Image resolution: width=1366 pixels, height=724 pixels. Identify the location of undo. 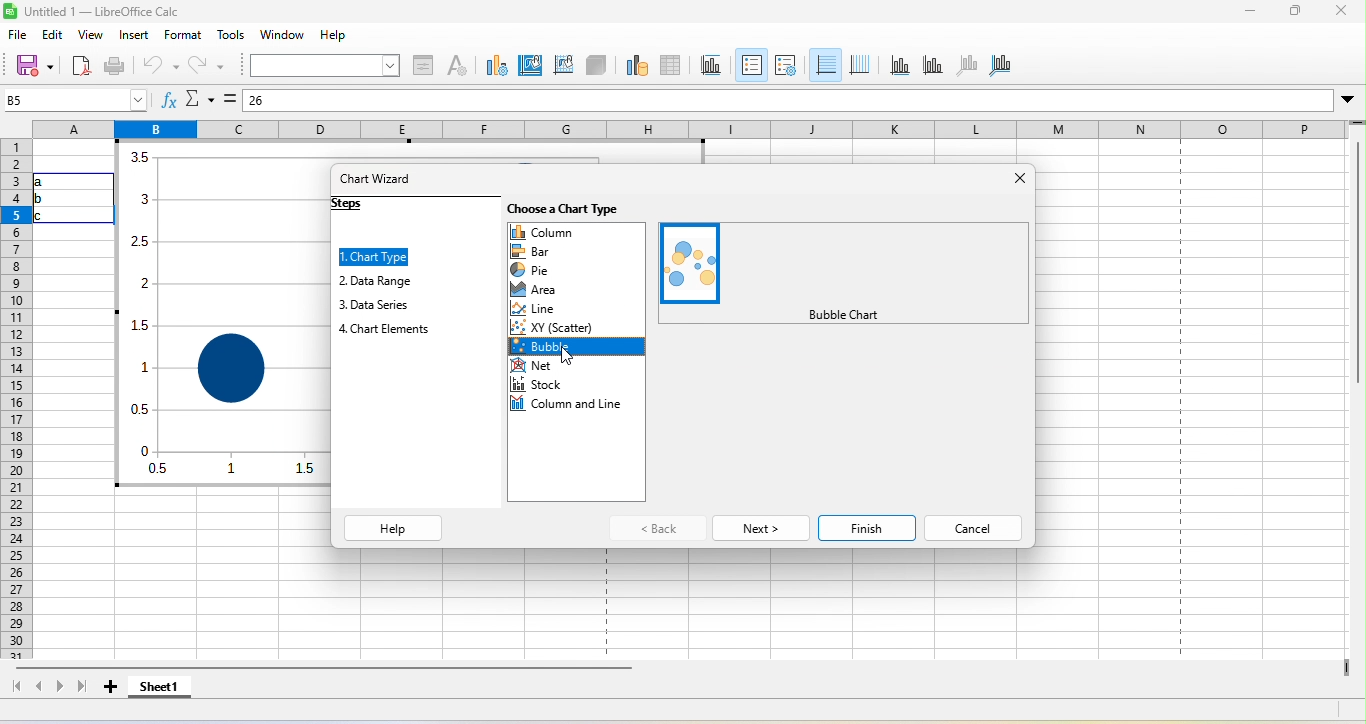
(161, 66).